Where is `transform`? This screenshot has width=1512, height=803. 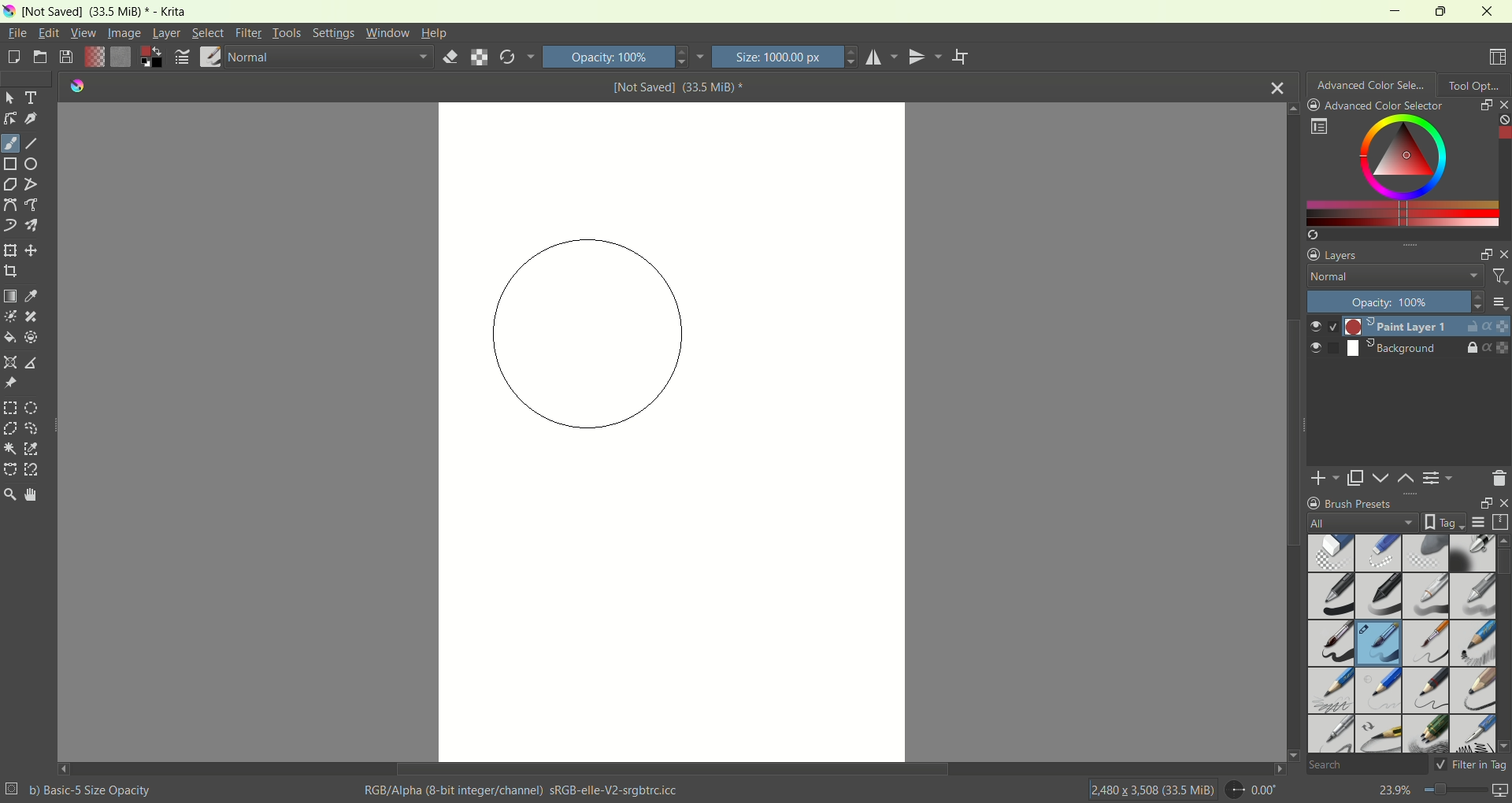
transform is located at coordinates (9, 251).